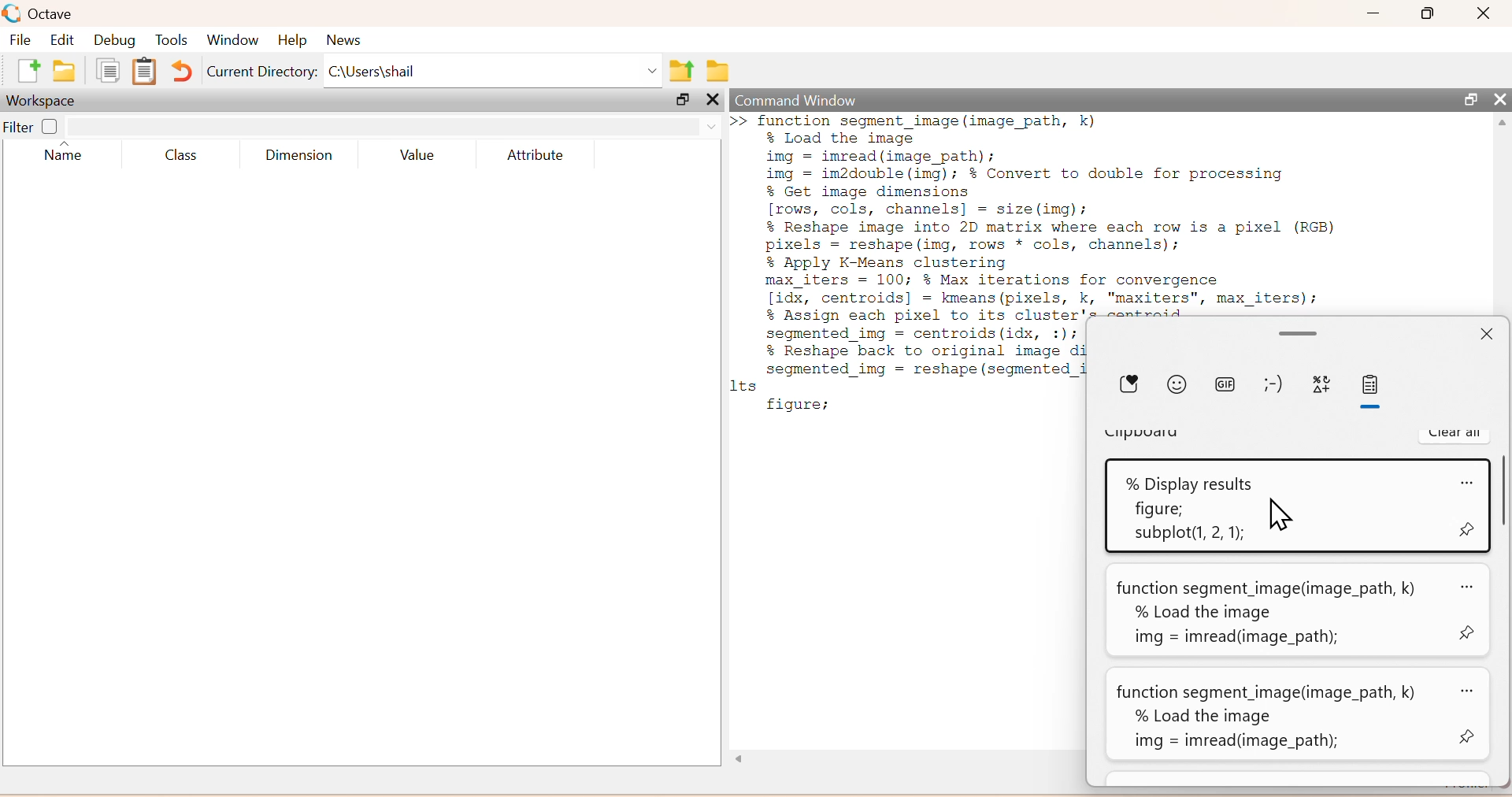 This screenshot has width=1512, height=797. What do you see at coordinates (680, 100) in the screenshot?
I see `Maximize` at bounding box center [680, 100].